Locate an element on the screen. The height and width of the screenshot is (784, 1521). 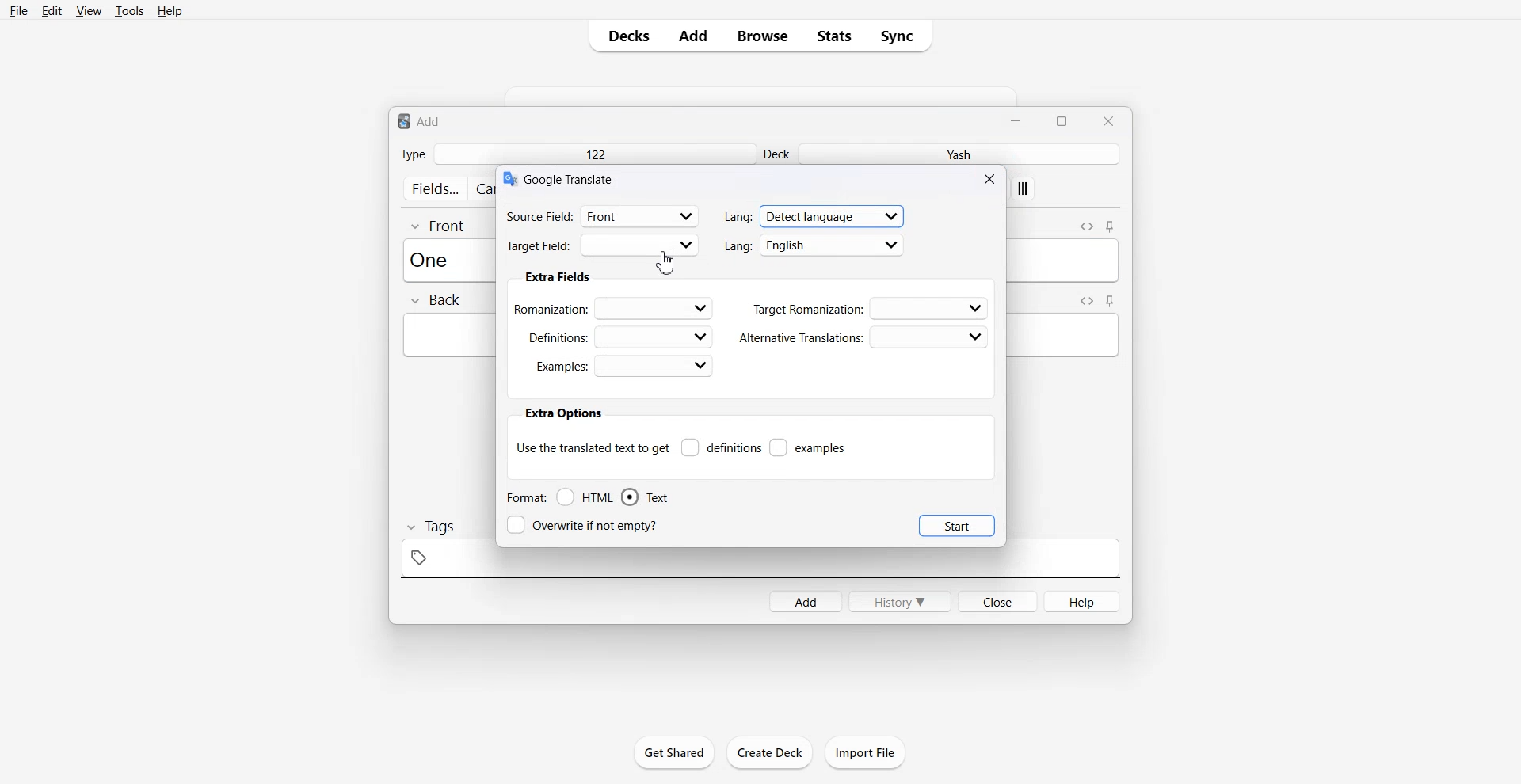
Minimize is located at coordinates (1018, 120).